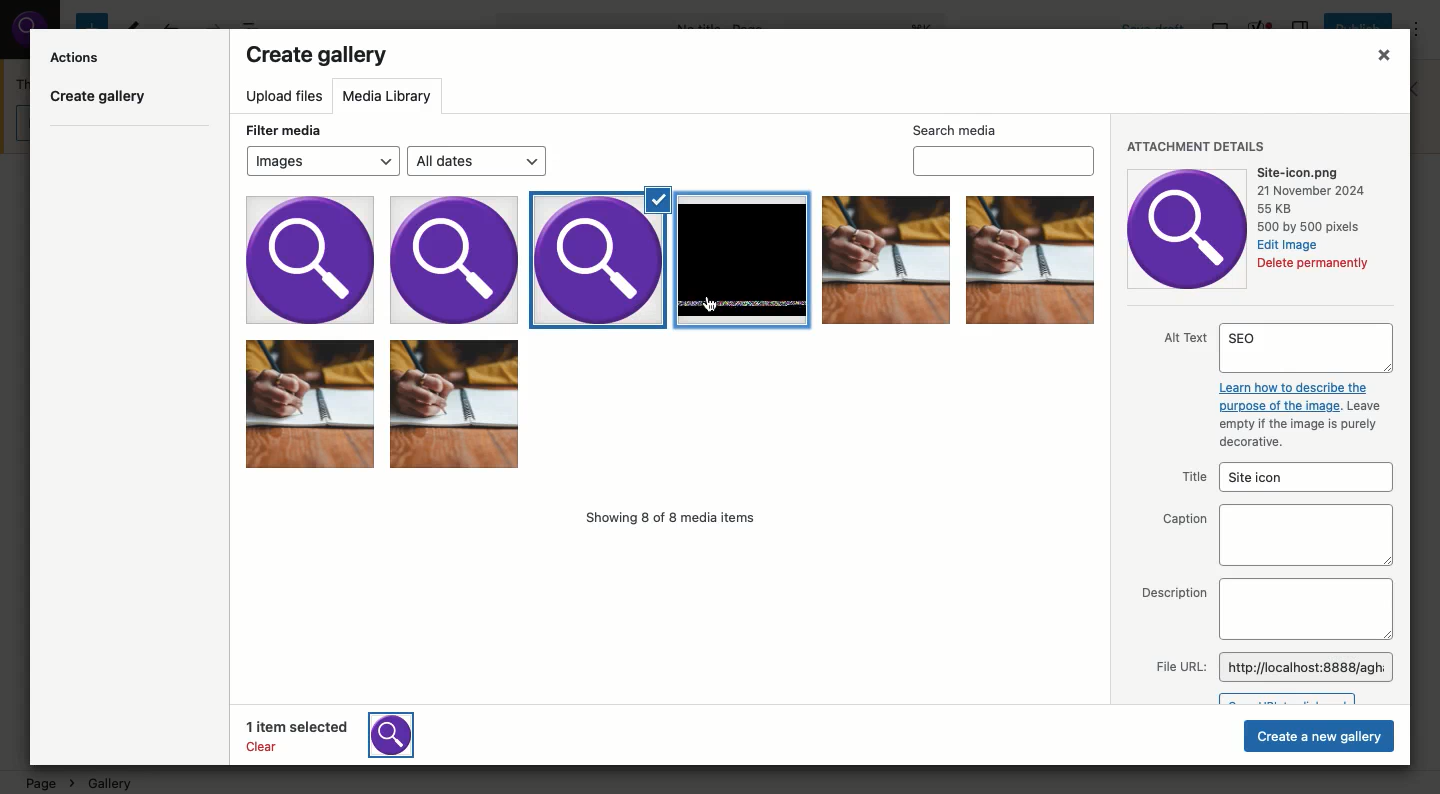 The height and width of the screenshot is (794, 1440). What do you see at coordinates (77, 56) in the screenshot?
I see `Actions` at bounding box center [77, 56].